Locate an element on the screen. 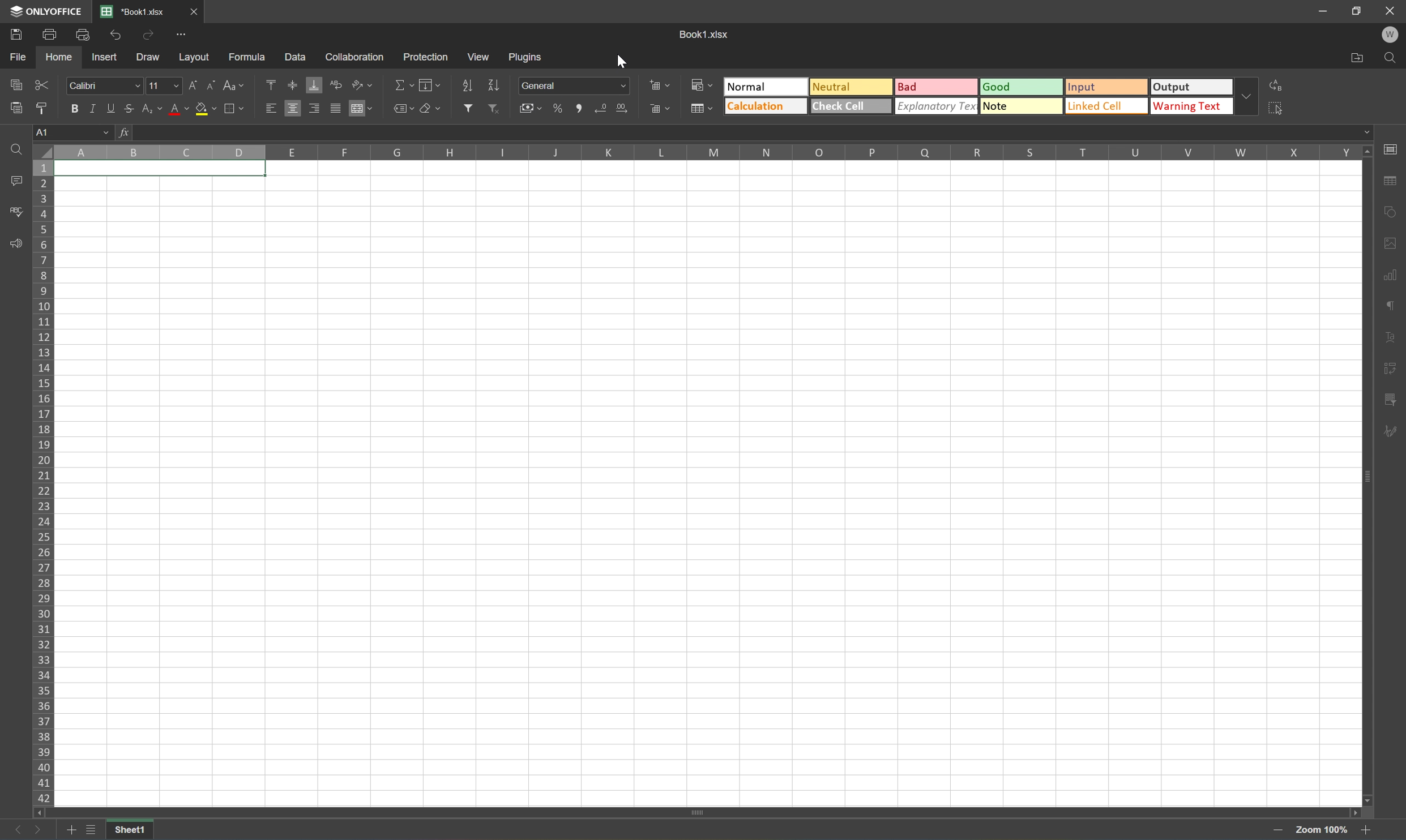 The width and height of the screenshot is (1406, 840). Bold is located at coordinates (73, 107).